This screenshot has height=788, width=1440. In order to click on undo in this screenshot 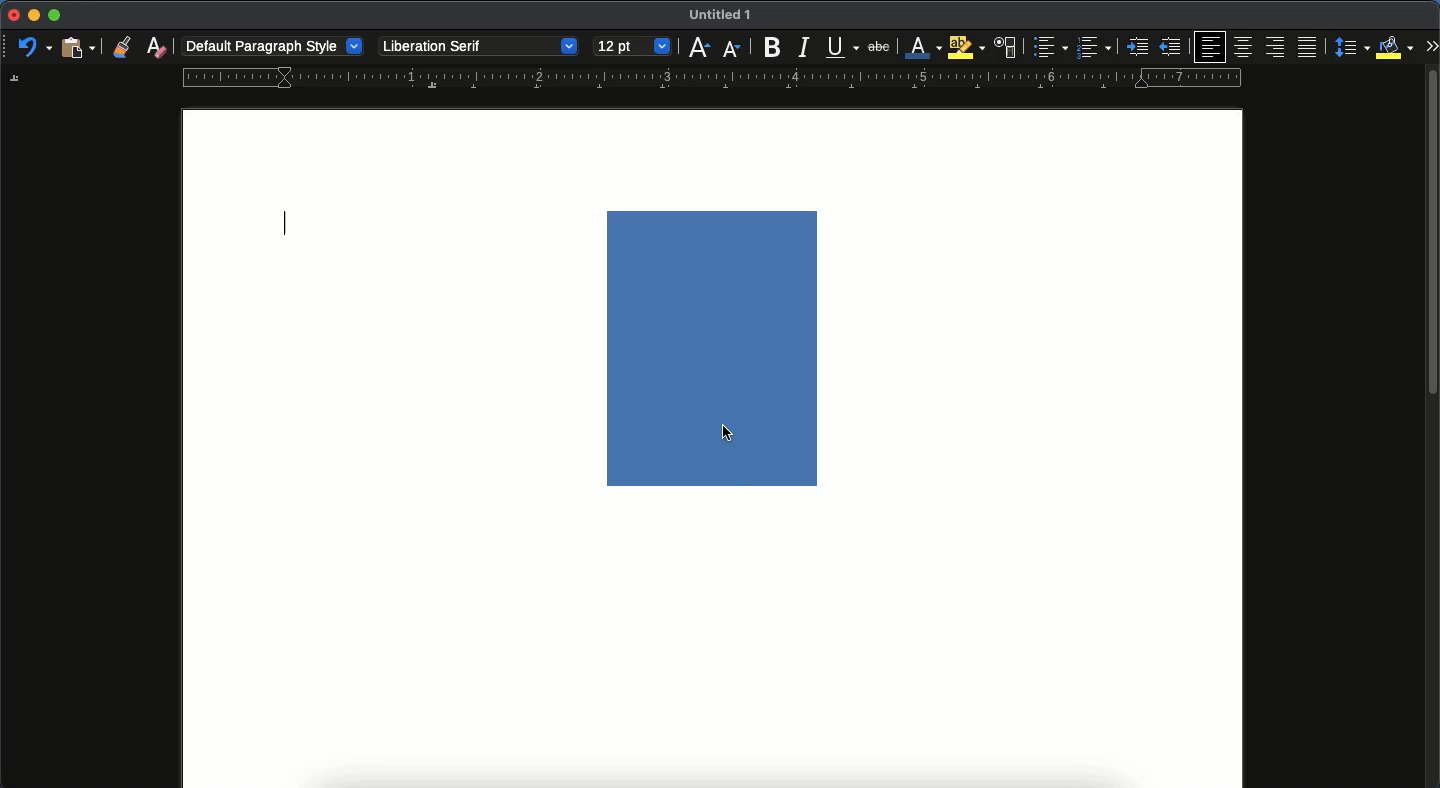, I will do `click(31, 47)`.